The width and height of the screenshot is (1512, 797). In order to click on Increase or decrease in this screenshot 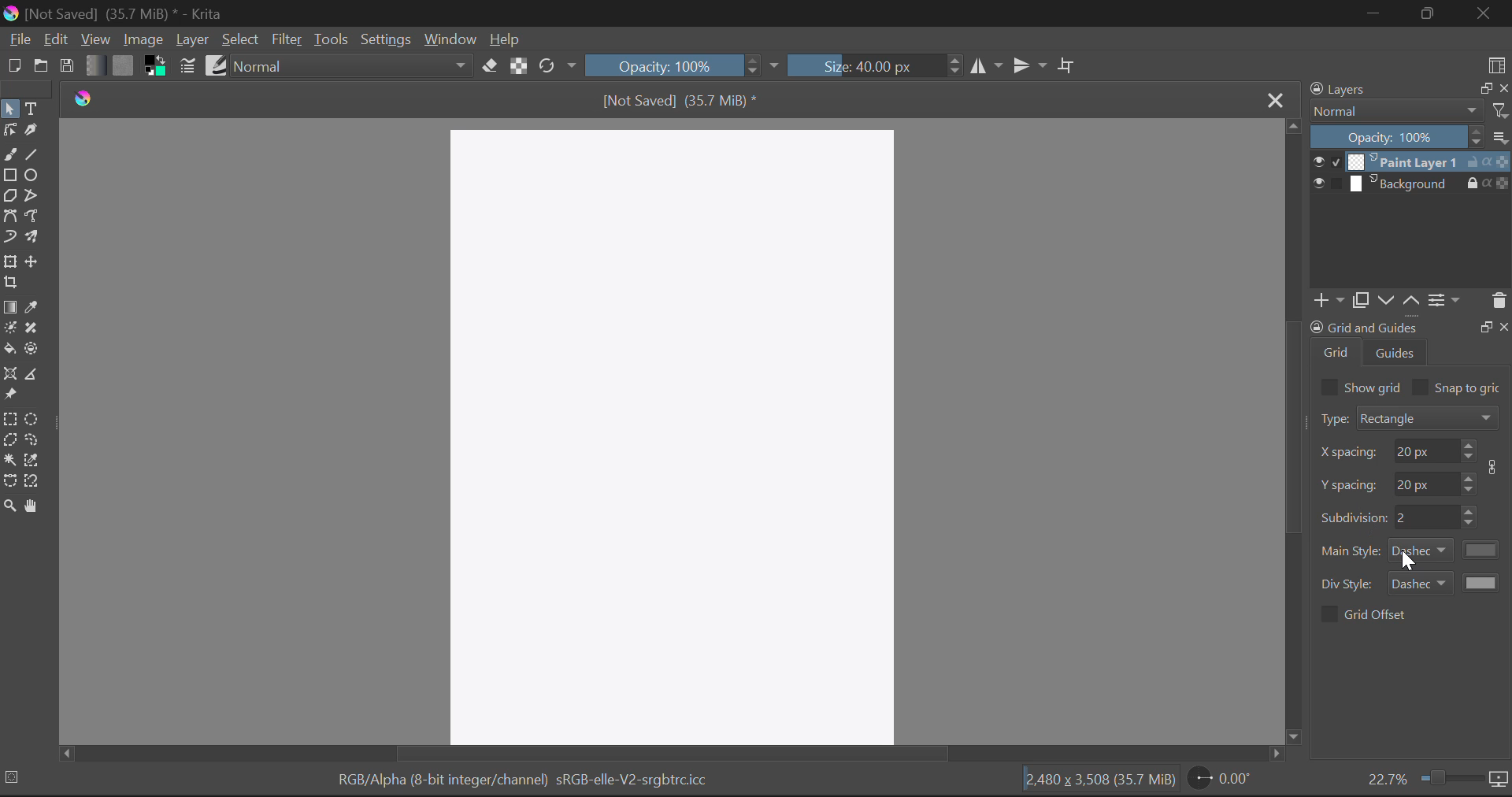, I will do `click(1469, 450)`.